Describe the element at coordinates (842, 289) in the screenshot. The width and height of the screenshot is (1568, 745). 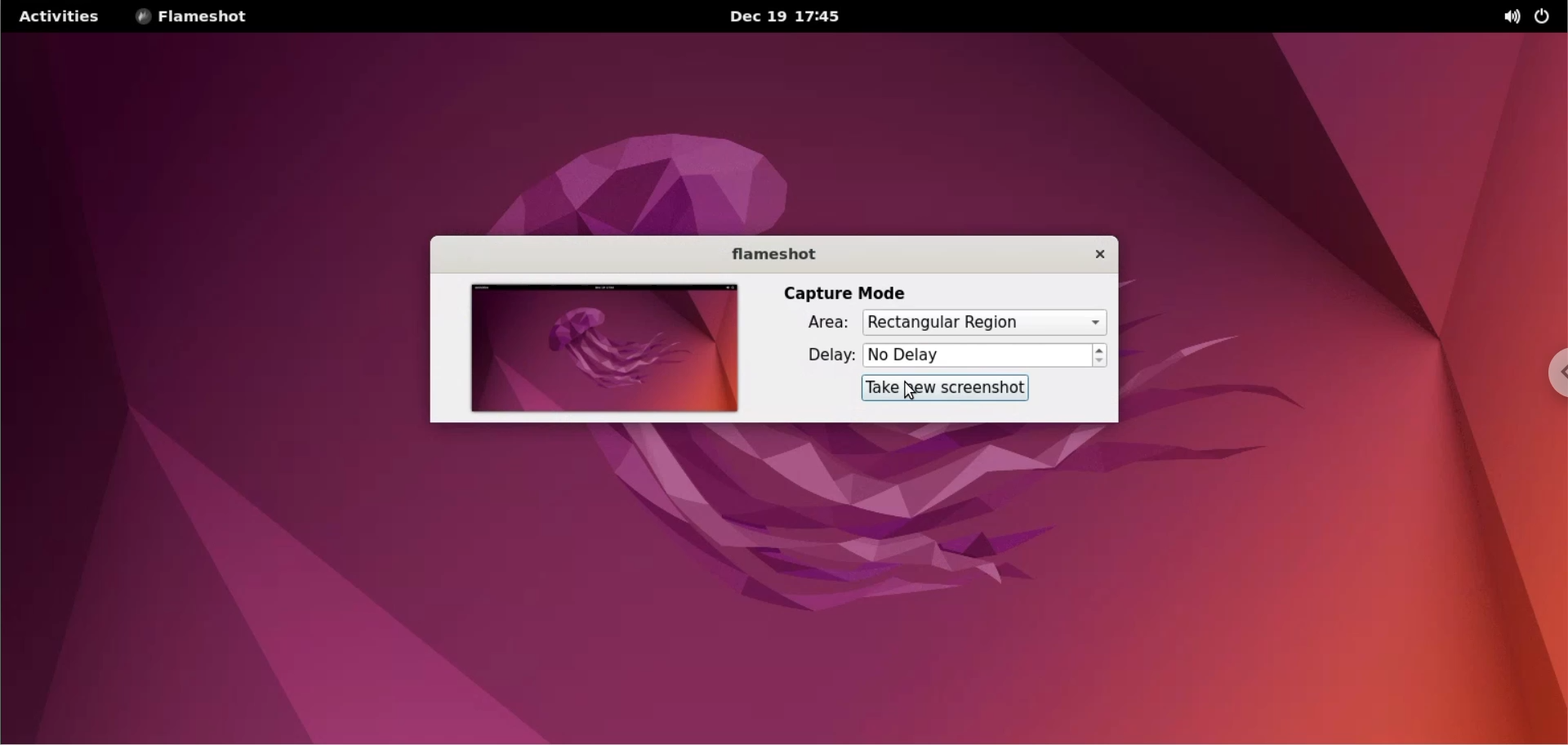
I see `capture mode ` at that location.